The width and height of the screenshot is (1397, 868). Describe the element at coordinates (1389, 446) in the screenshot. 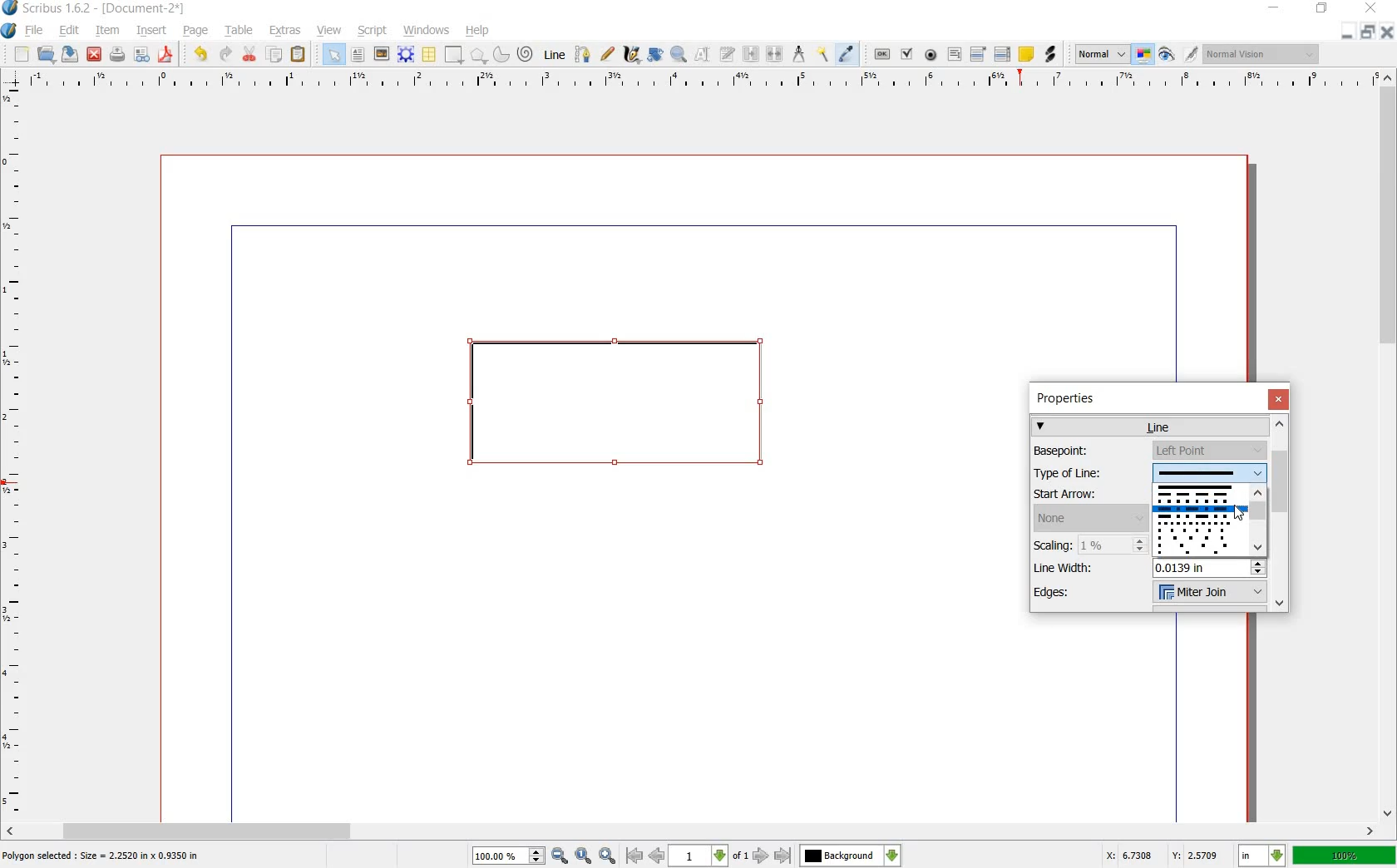

I see `SCROLLBAR` at that location.